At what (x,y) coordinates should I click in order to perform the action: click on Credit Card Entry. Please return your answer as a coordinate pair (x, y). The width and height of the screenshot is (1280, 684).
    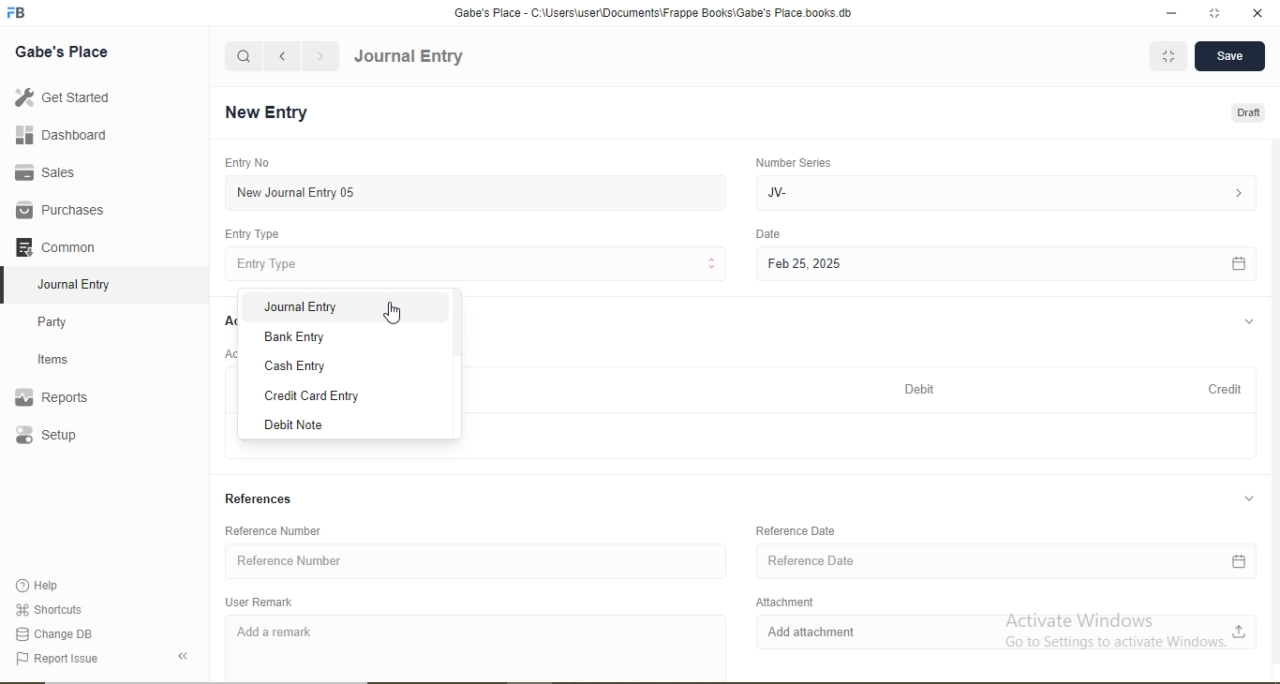
    Looking at the image, I should click on (340, 394).